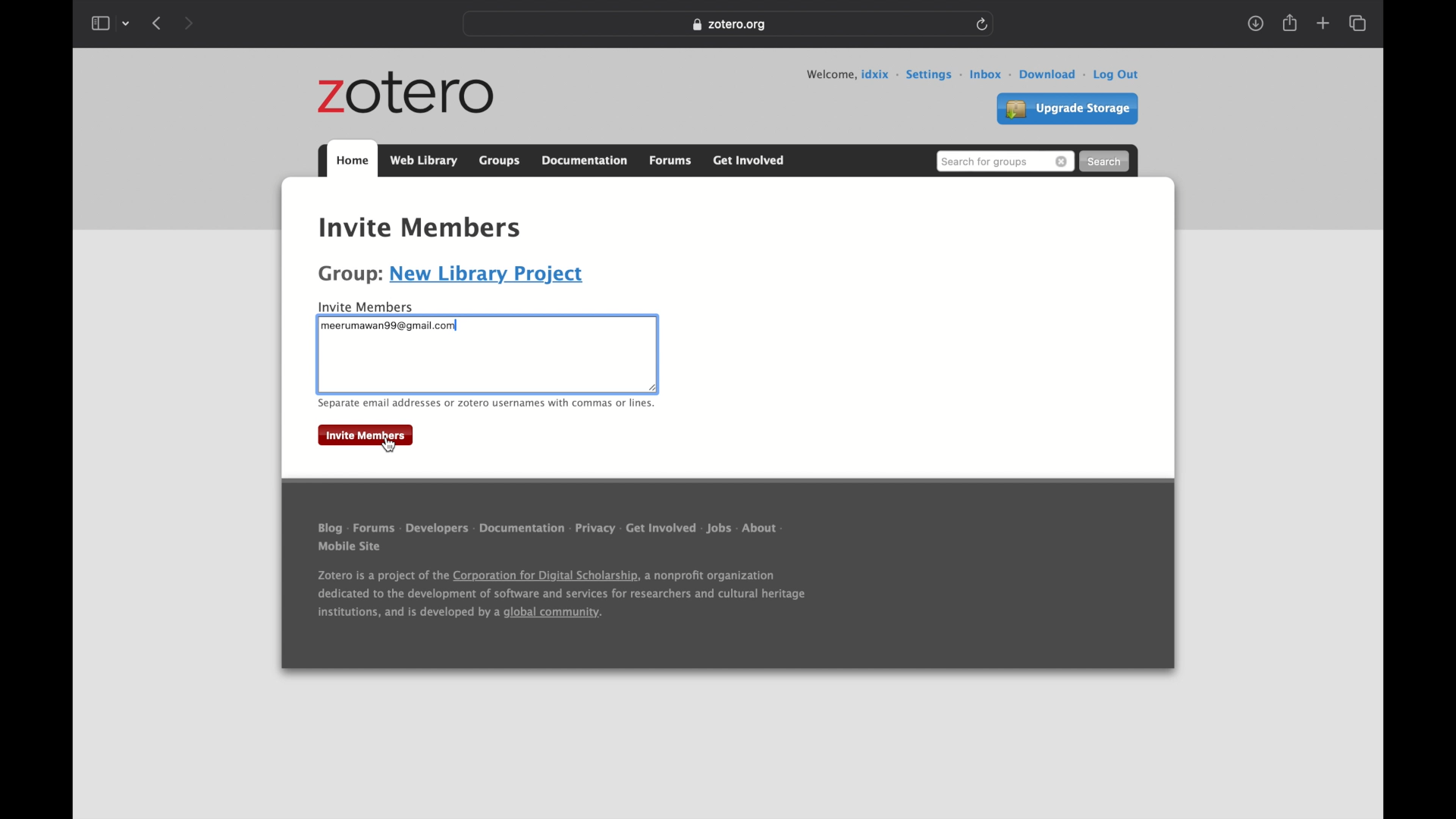  I want to click on forums, so click(376, 526).